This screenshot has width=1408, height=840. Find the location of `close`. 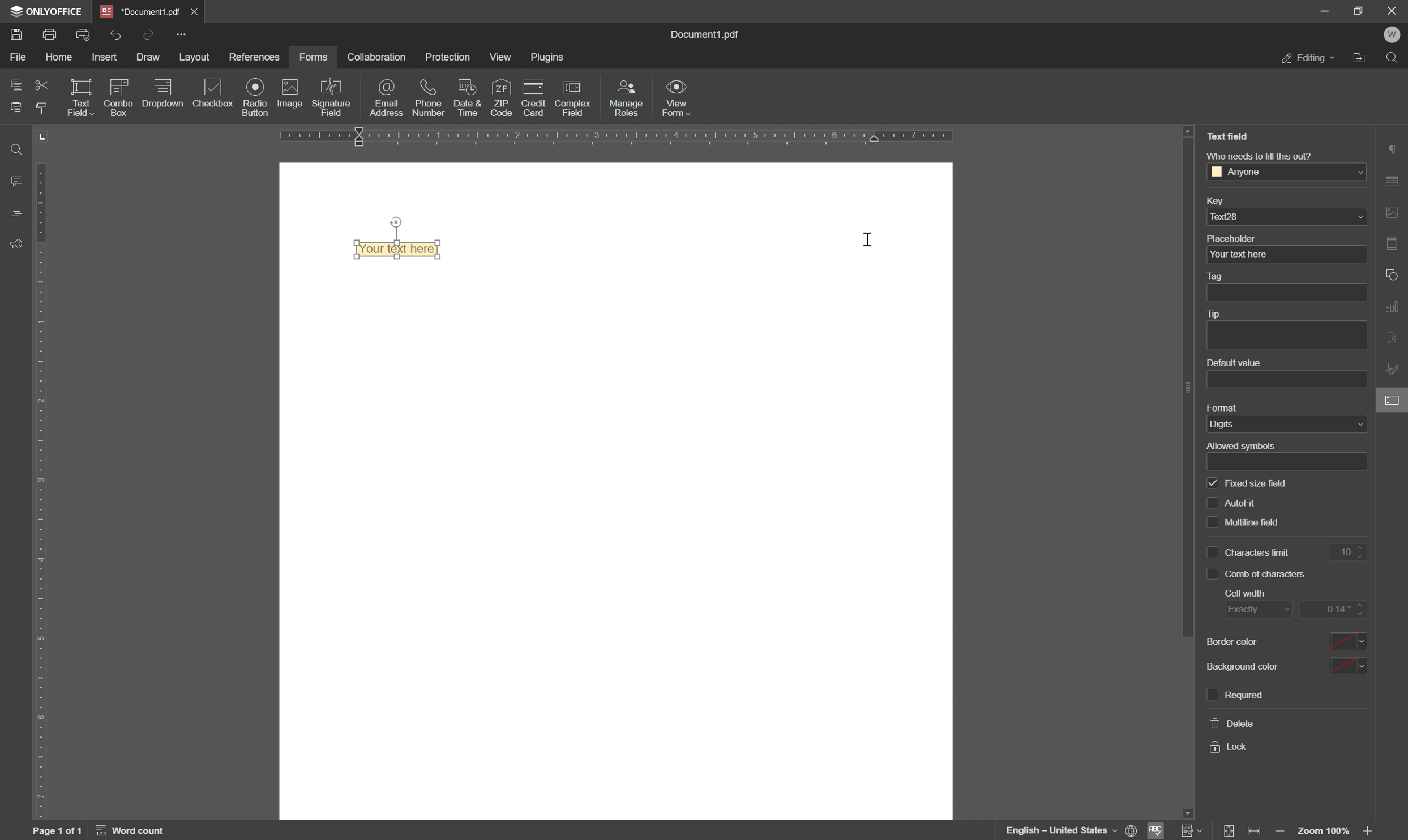

close is located at coordinates (195, 10).